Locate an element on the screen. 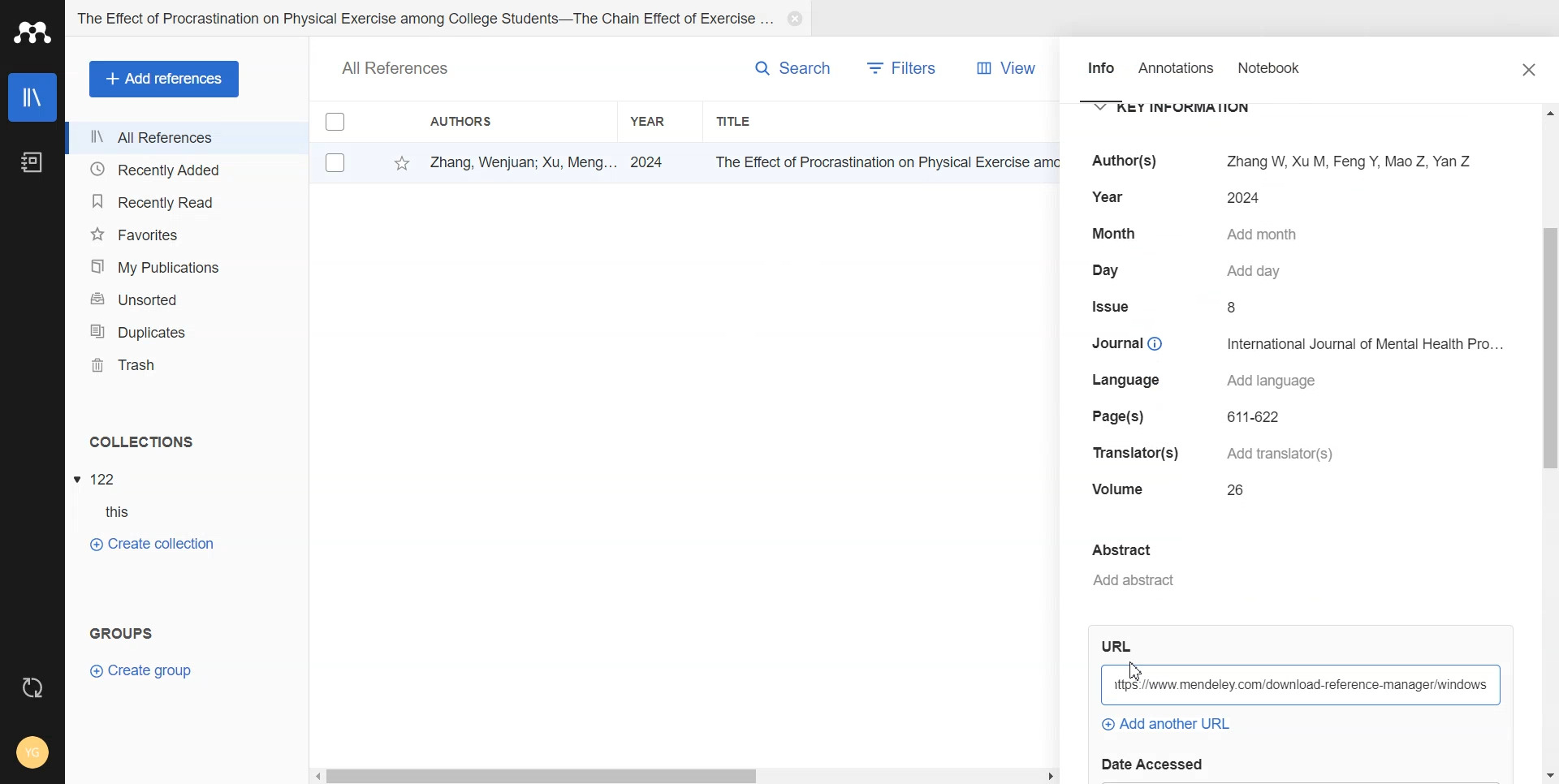 The width and height of the screenshot is (1559, 784). Close is located at coordinates (796, 19).